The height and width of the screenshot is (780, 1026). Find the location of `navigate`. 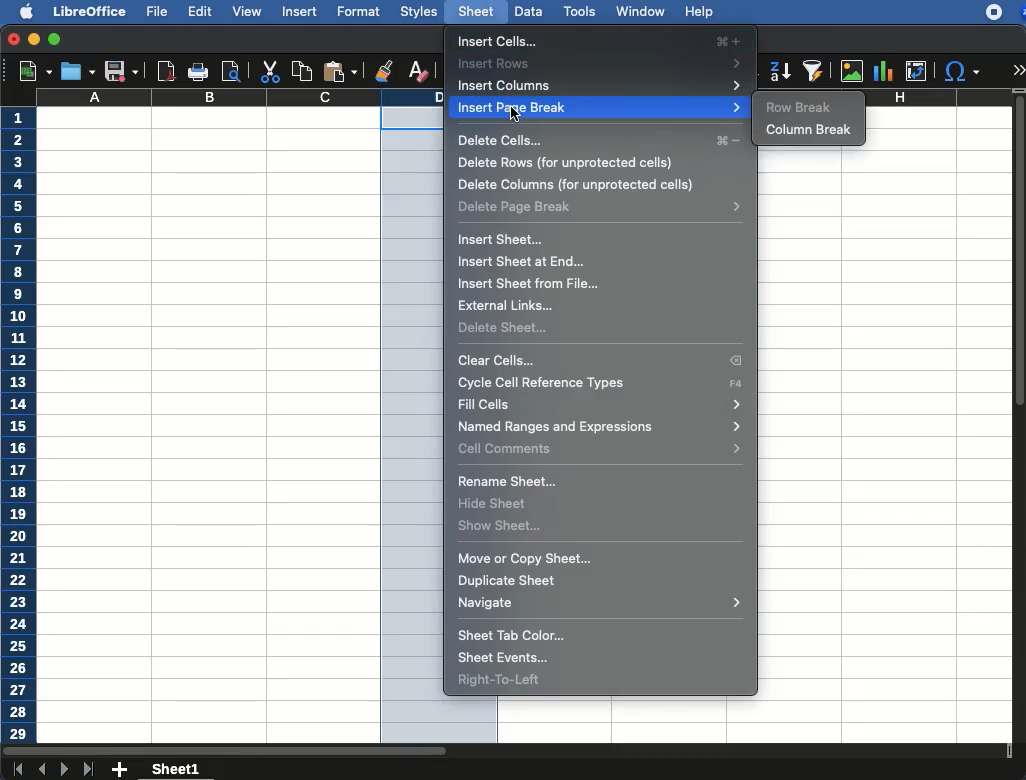

navigate is located at coordinates (603, 605).